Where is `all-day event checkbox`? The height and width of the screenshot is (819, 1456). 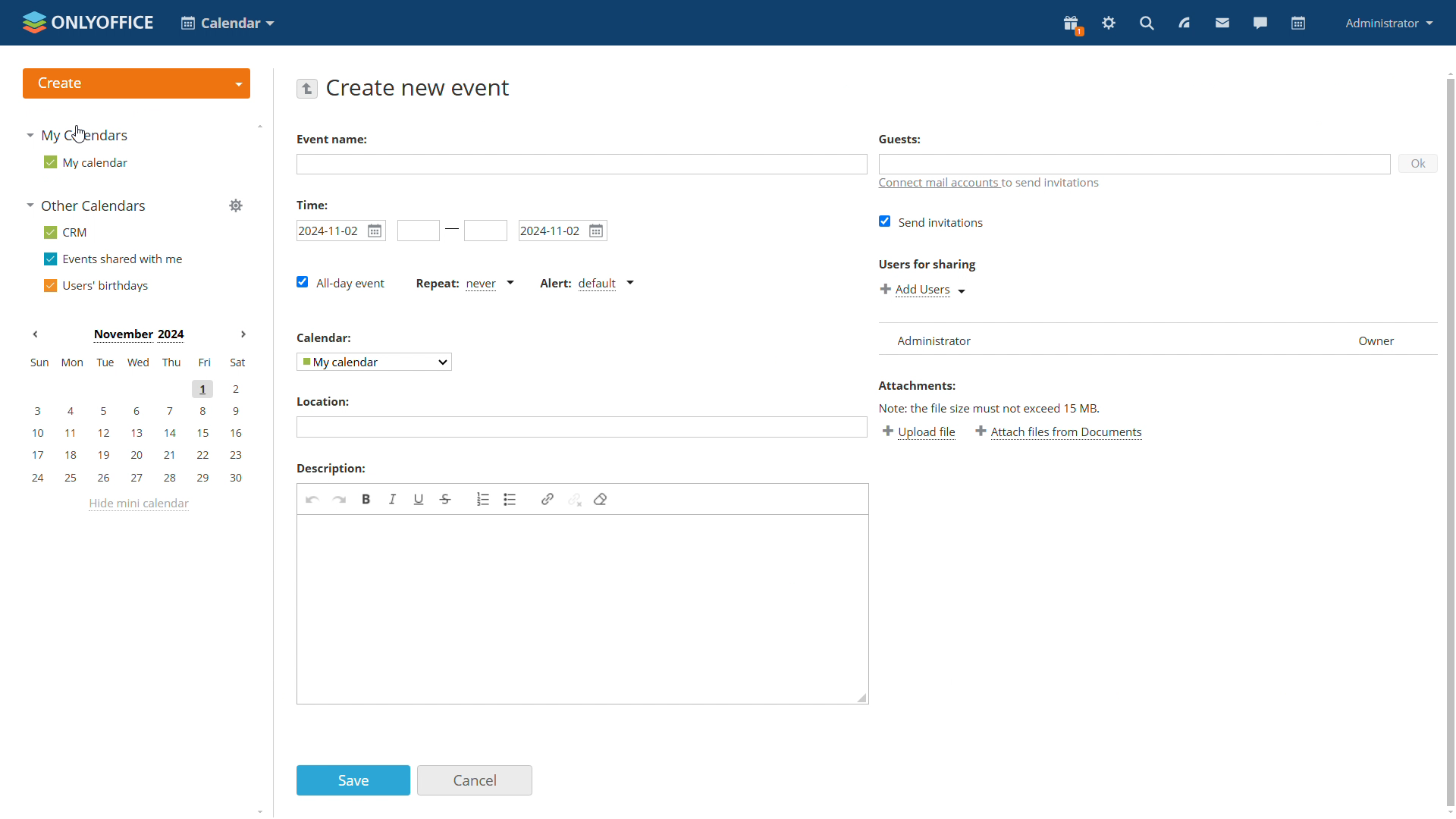 all-day event checkbox is located at coordinates (343, 283).